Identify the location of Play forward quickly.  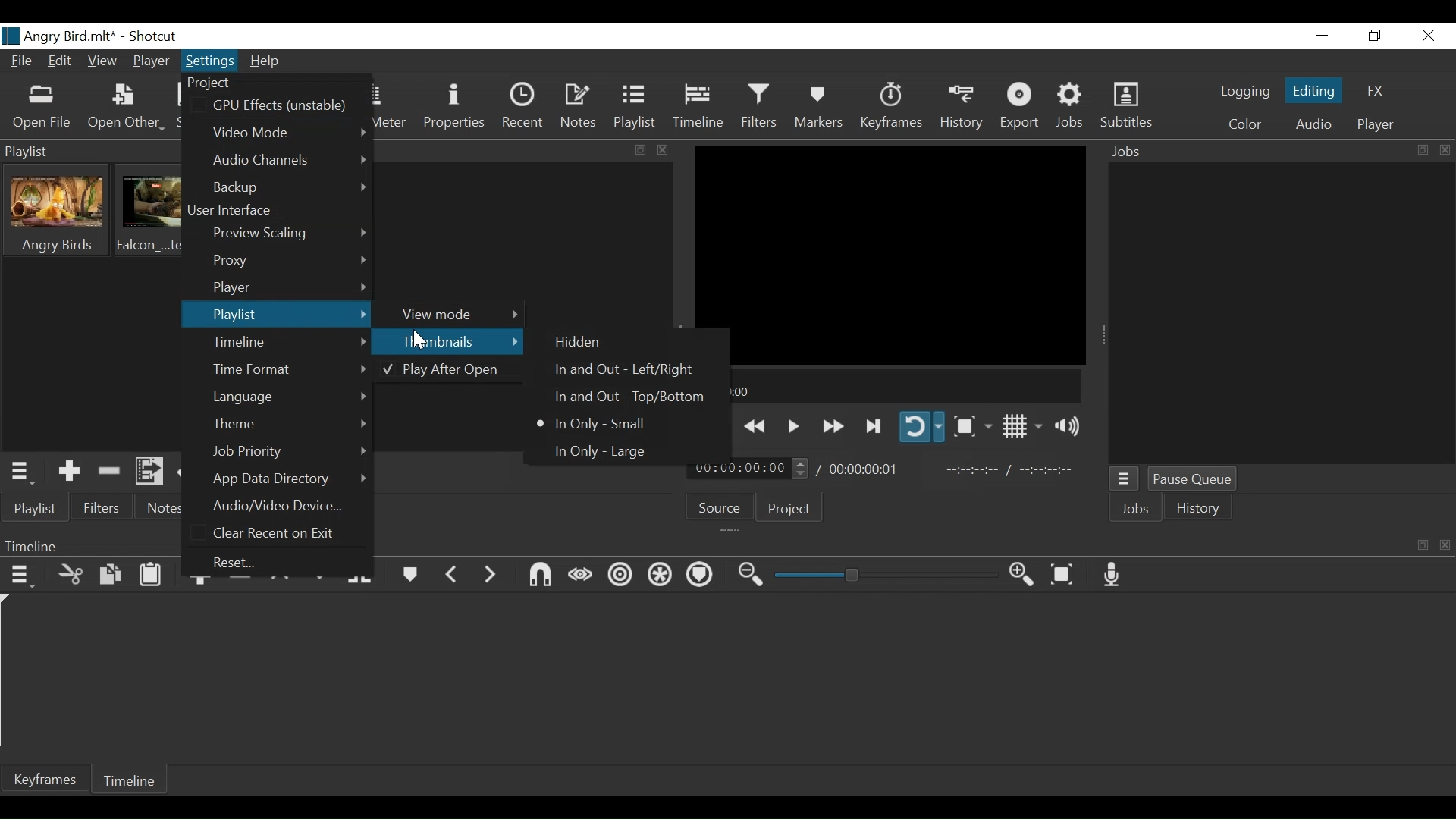
(833, 427).